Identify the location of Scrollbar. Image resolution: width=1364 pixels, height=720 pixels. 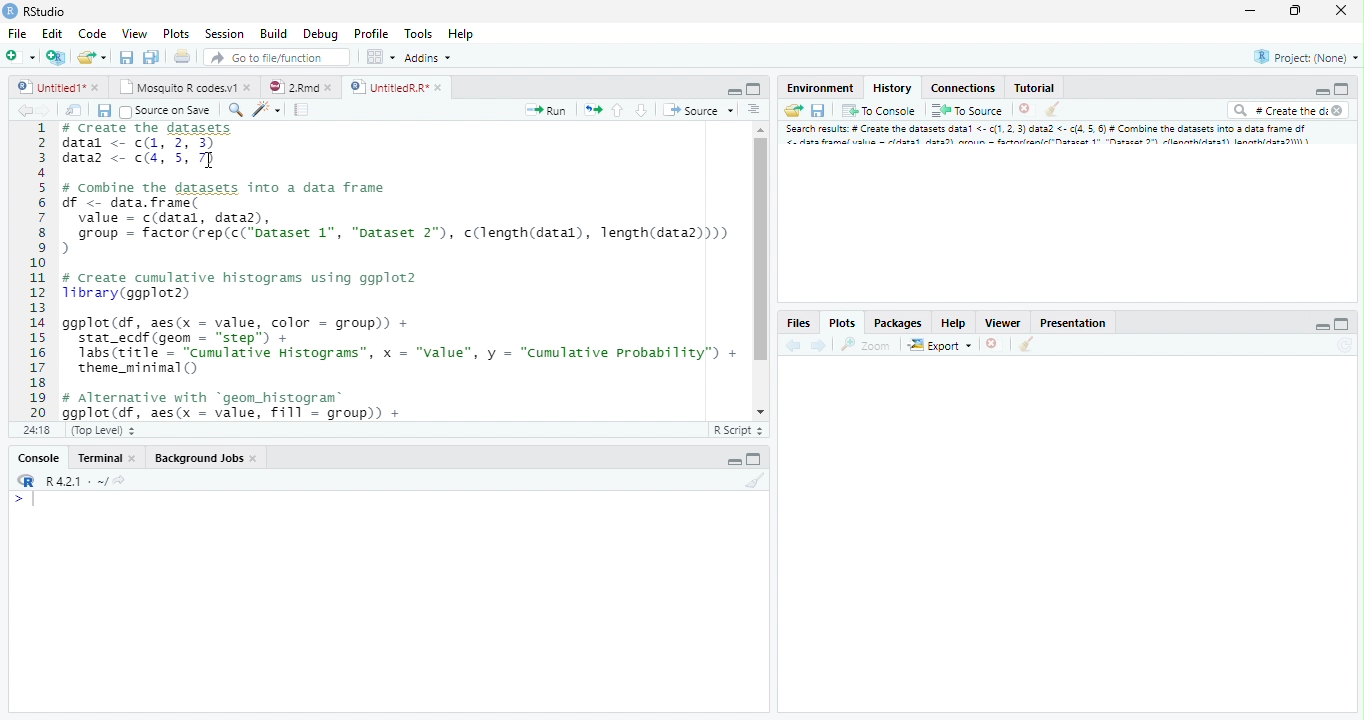
(759, 268).